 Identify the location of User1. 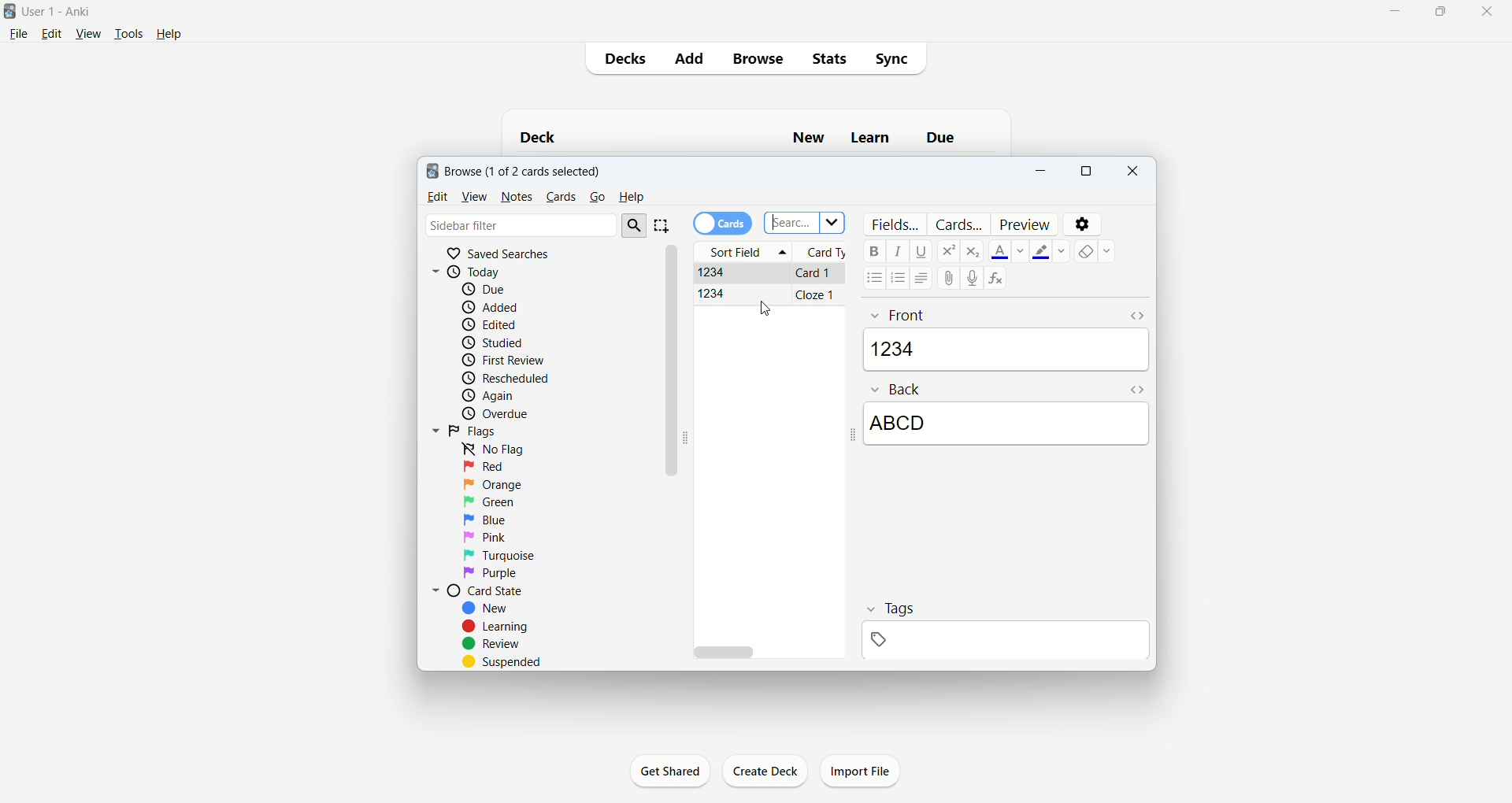
(56, 11).